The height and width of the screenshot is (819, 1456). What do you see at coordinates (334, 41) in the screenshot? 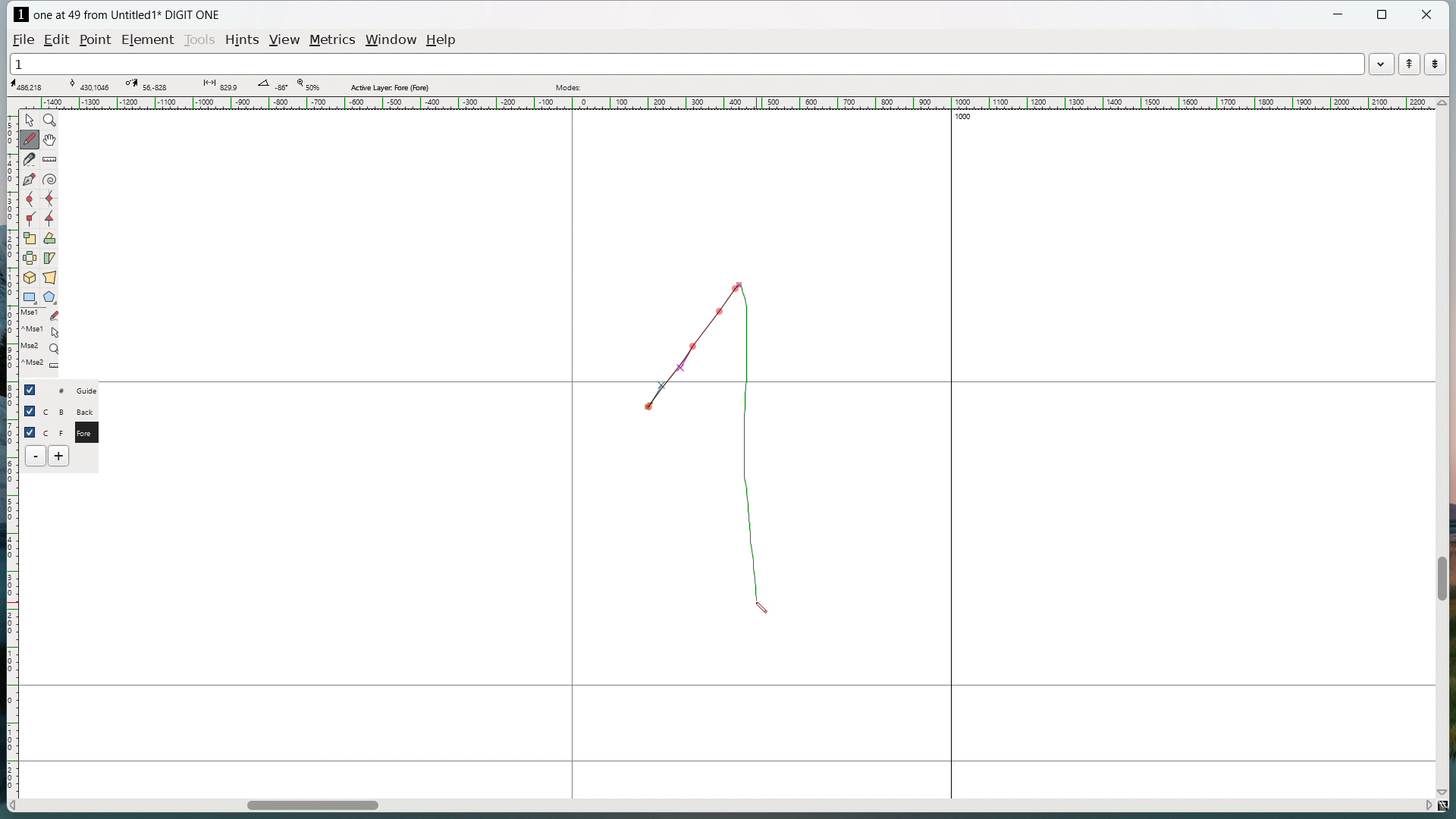
I see `metrics` at bounding box center [334, 41].